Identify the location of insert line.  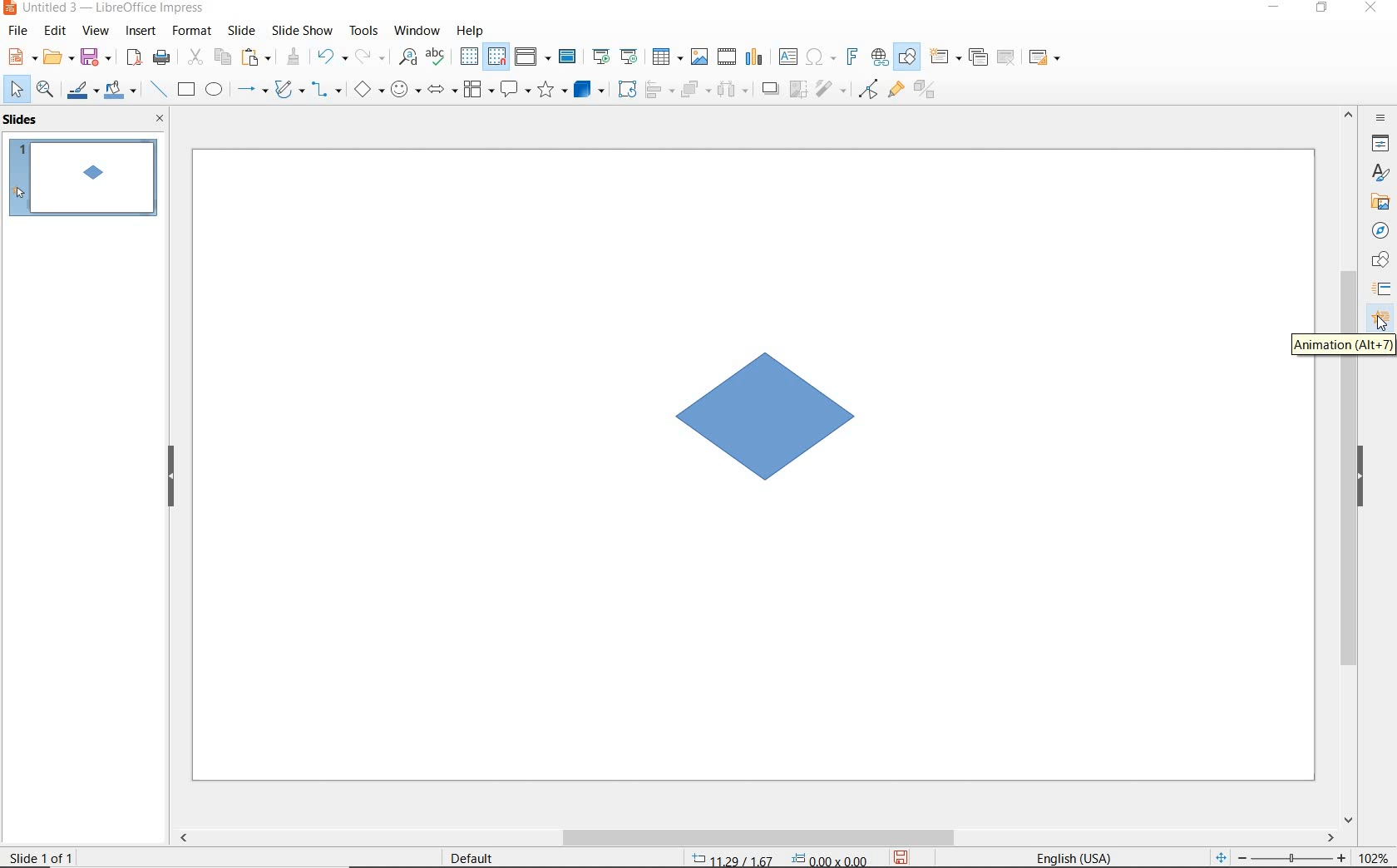
(159, 88).